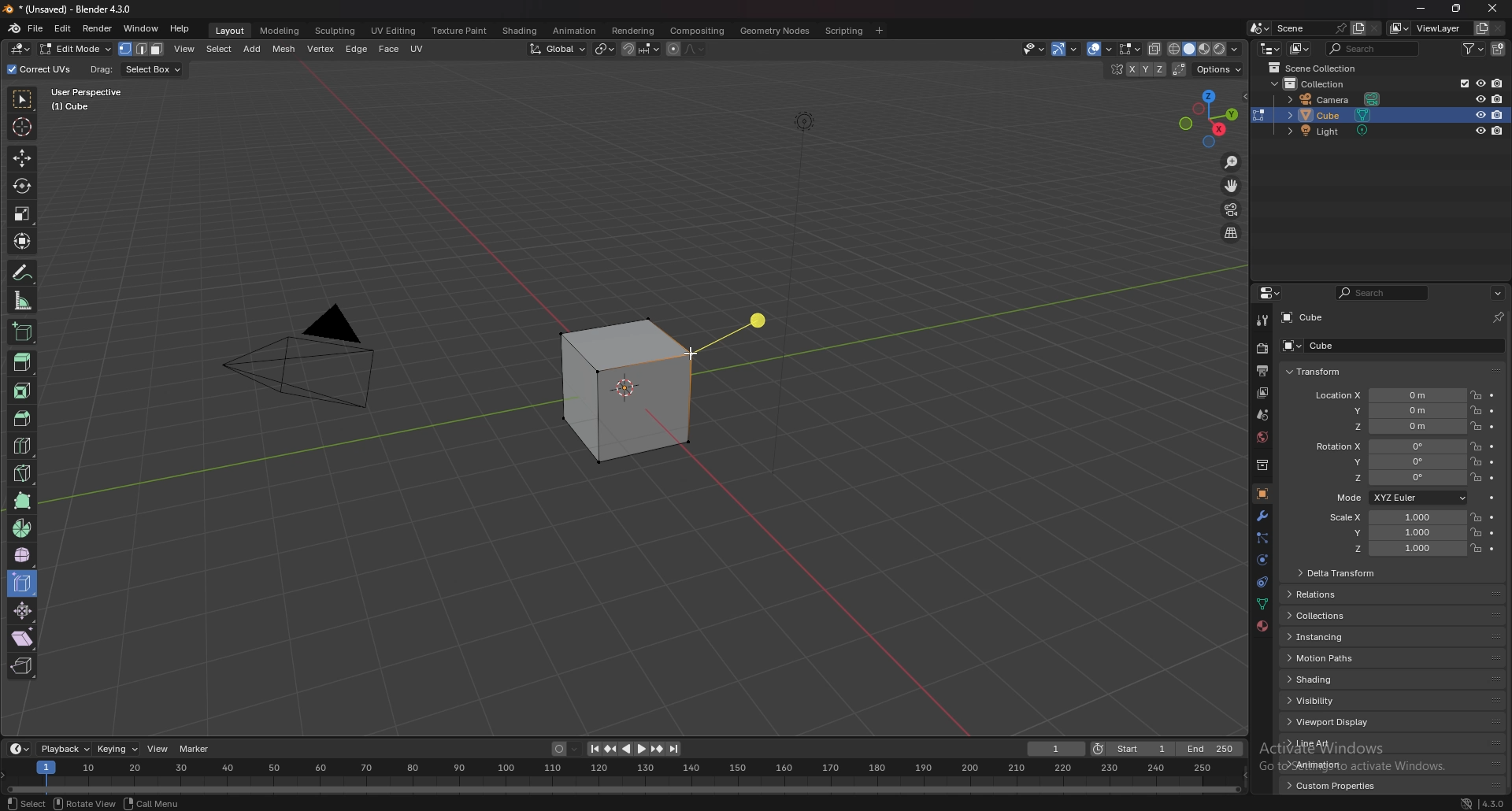 Image resolution: width=1512 pixels, height=811 pixels. Describe the element at coordinates (1258, 28) in the screenshot. I see `browse scene` at that location.